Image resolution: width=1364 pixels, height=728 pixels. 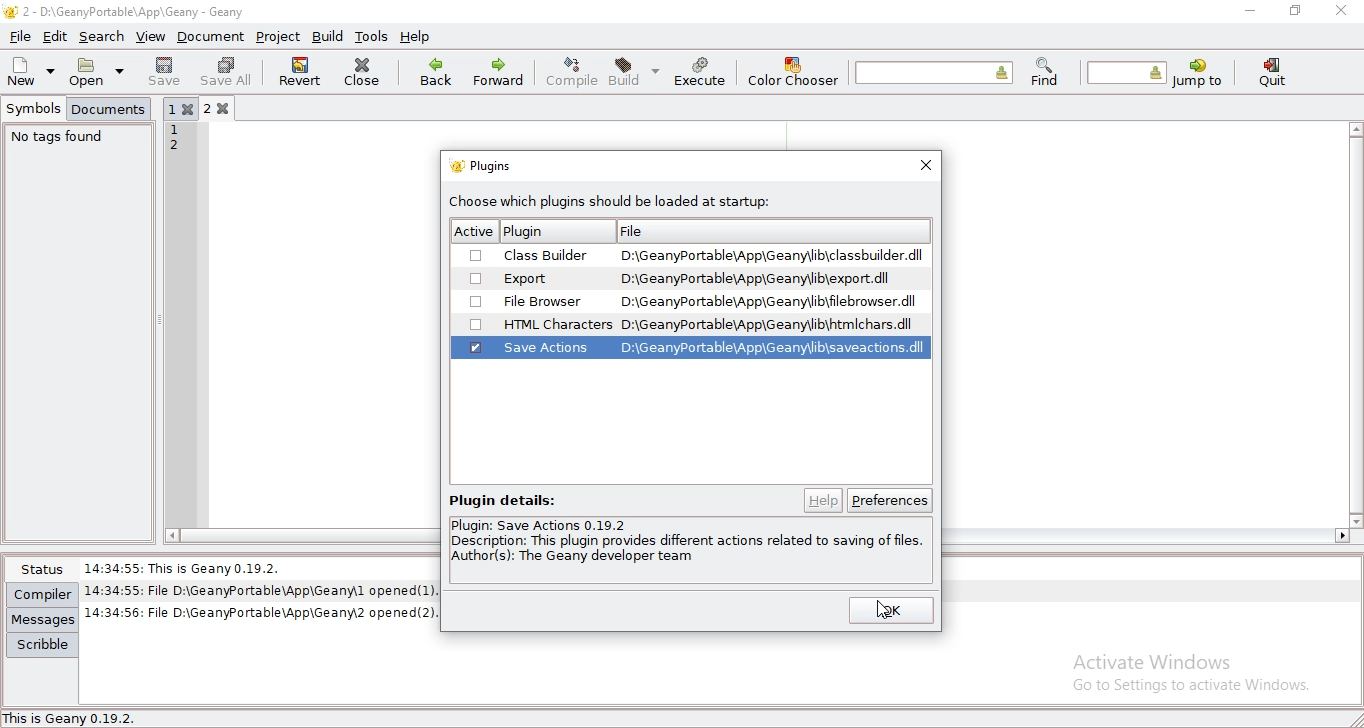 I want to click on restore window, so click(x=1296, y=10).